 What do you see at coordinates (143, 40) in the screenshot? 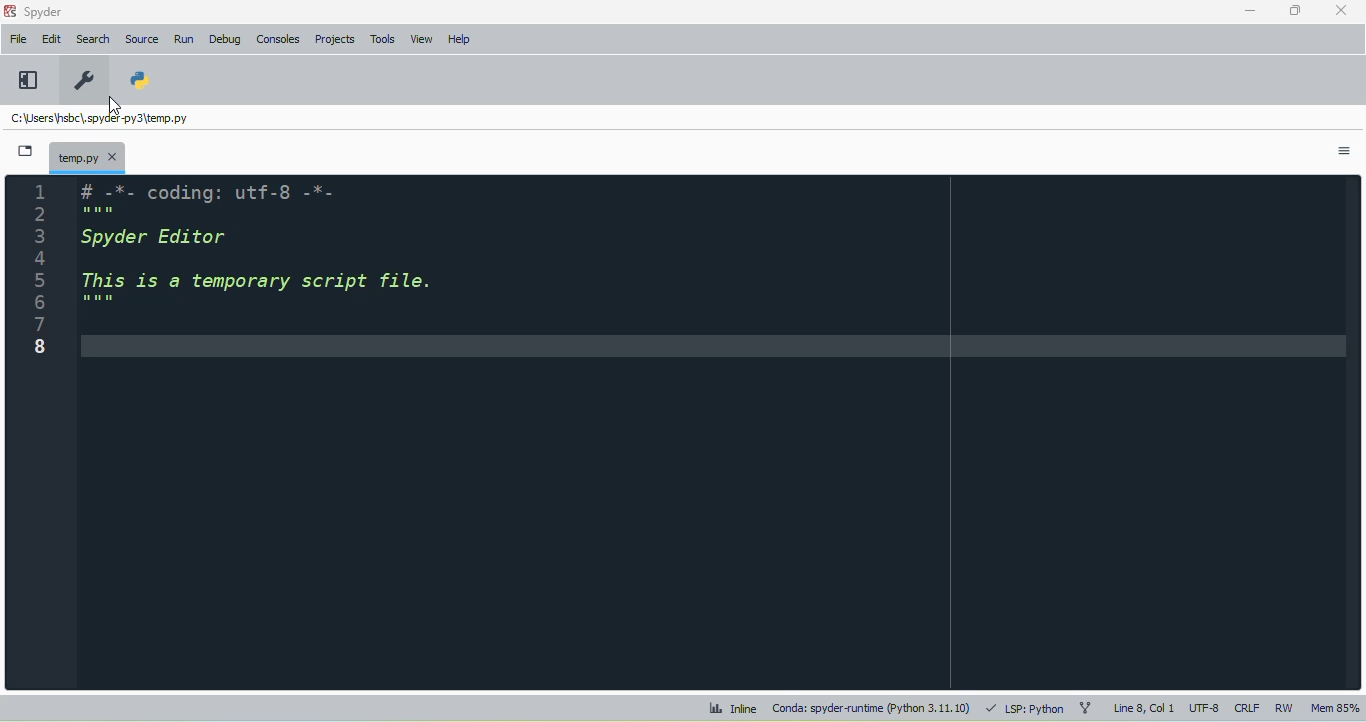
I see `source` at bounding box center [143, 40].